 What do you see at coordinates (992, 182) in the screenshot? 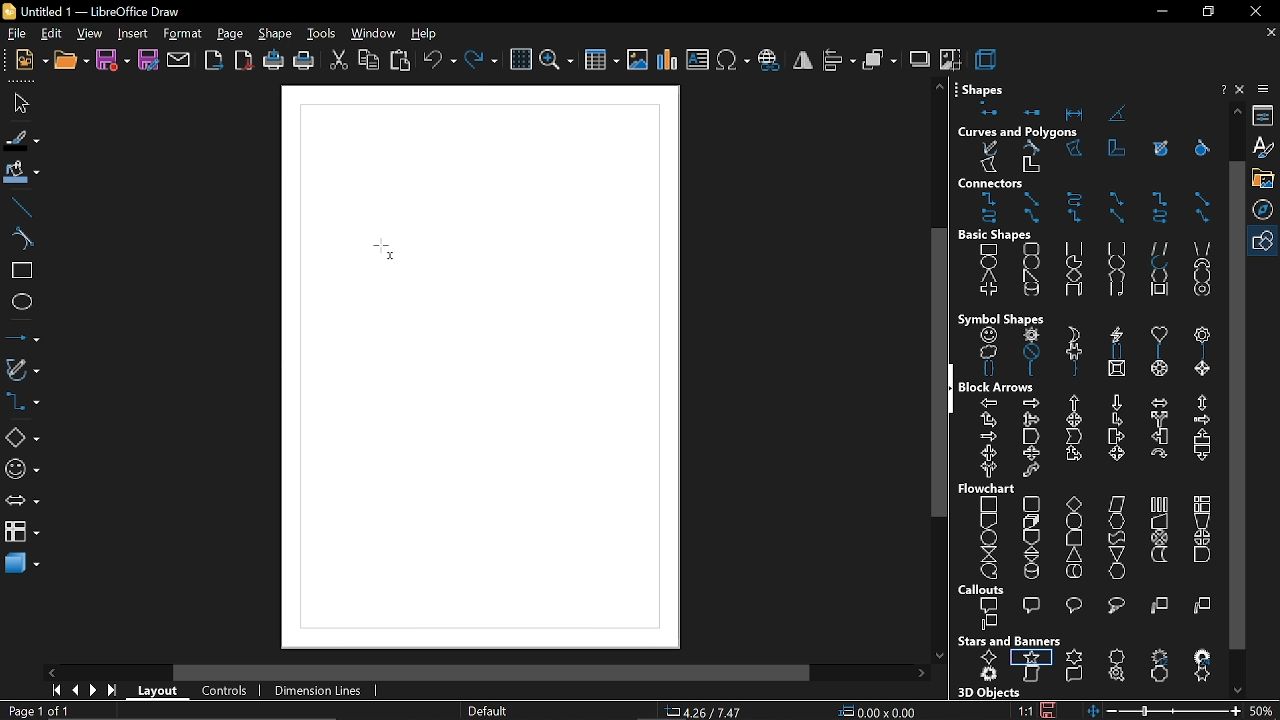
I see `connectors` at bounding box center [992, 182].